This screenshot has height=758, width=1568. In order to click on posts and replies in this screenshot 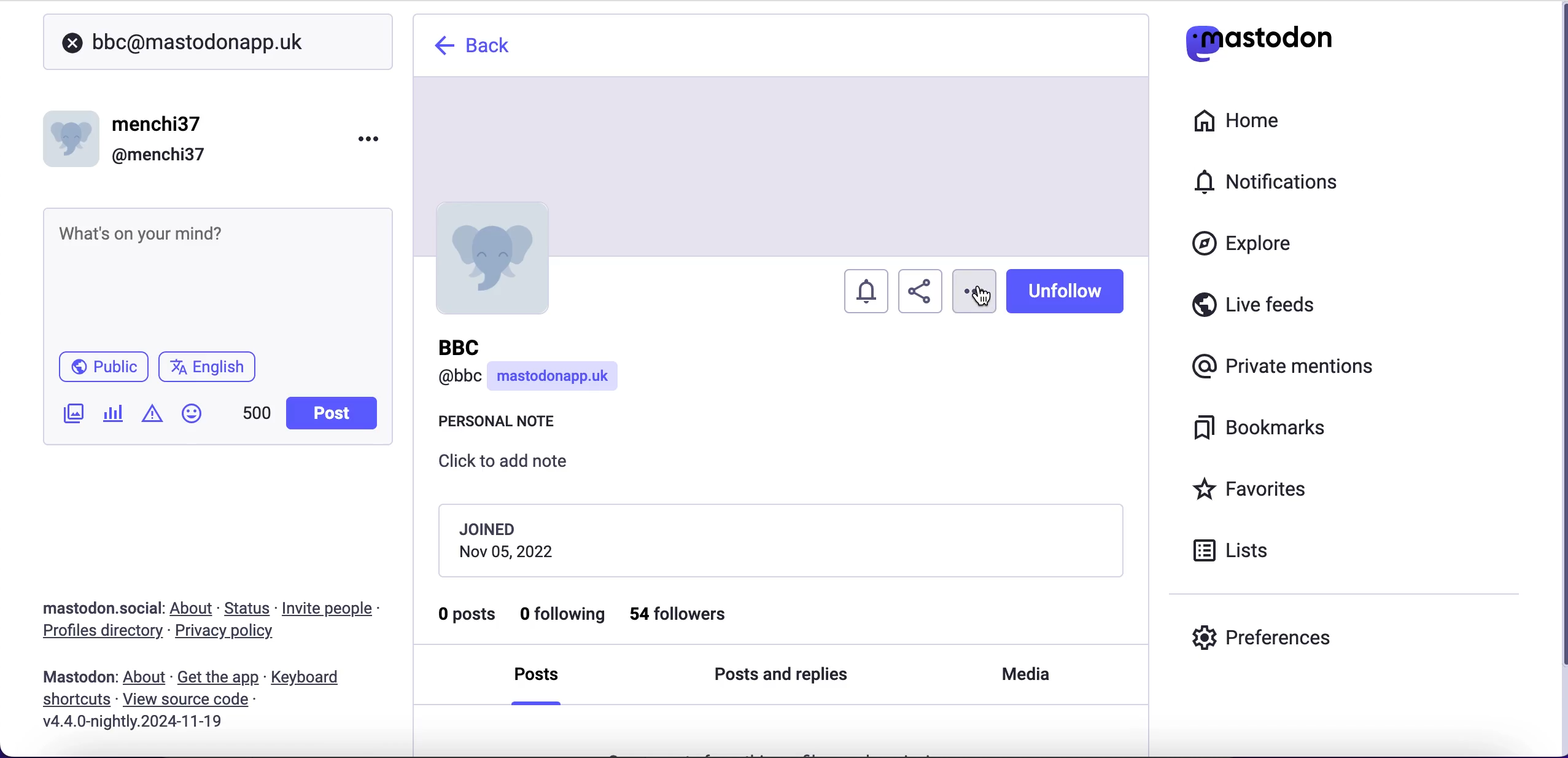, I will do `click(788, 673)`.